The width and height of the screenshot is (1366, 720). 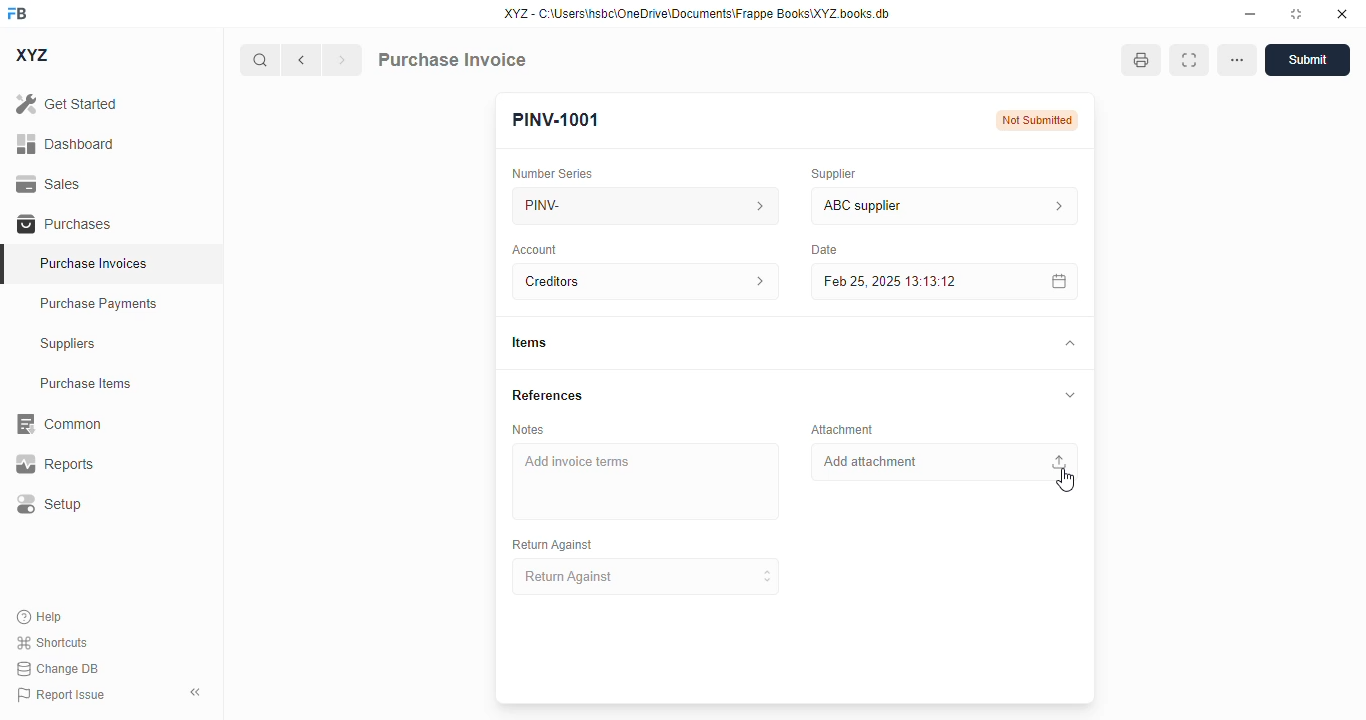 What do you see at coordinates (943, 462) in the screenshot?
I see `add attachment` at bounding box center [943, 462].